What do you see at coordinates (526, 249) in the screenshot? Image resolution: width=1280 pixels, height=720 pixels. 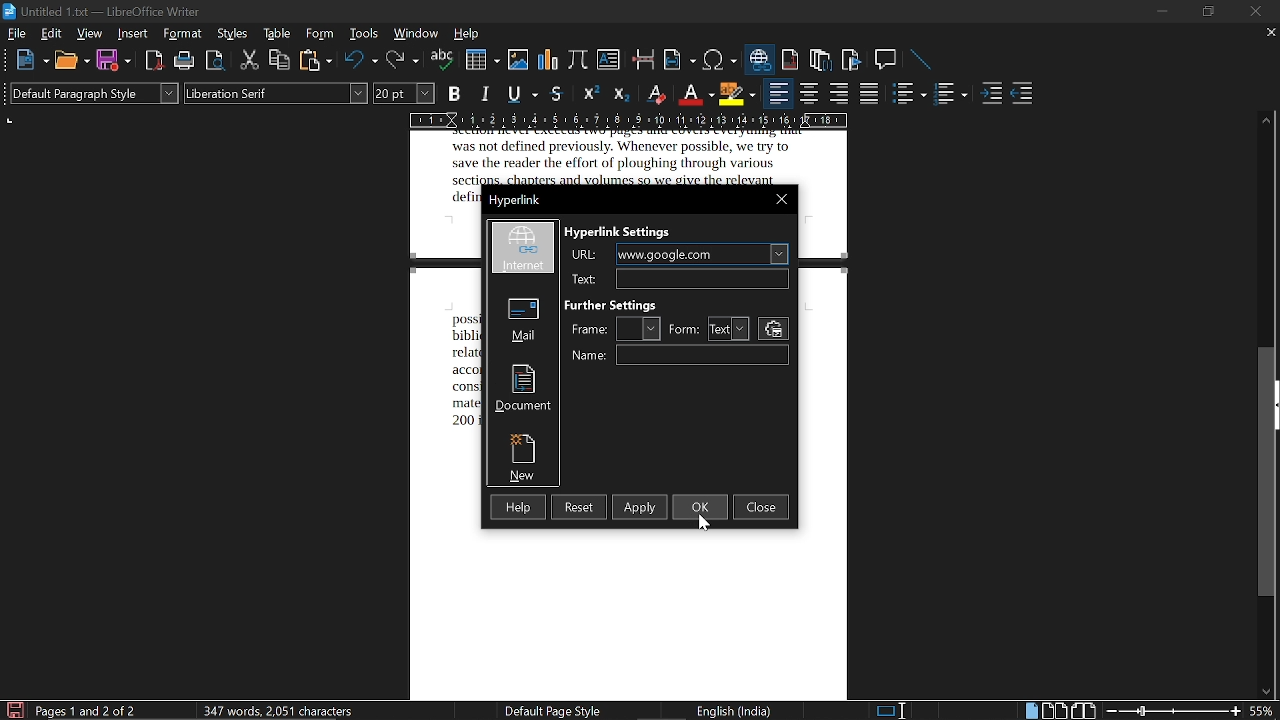 I see `internet` at bounding box center [526, 249].